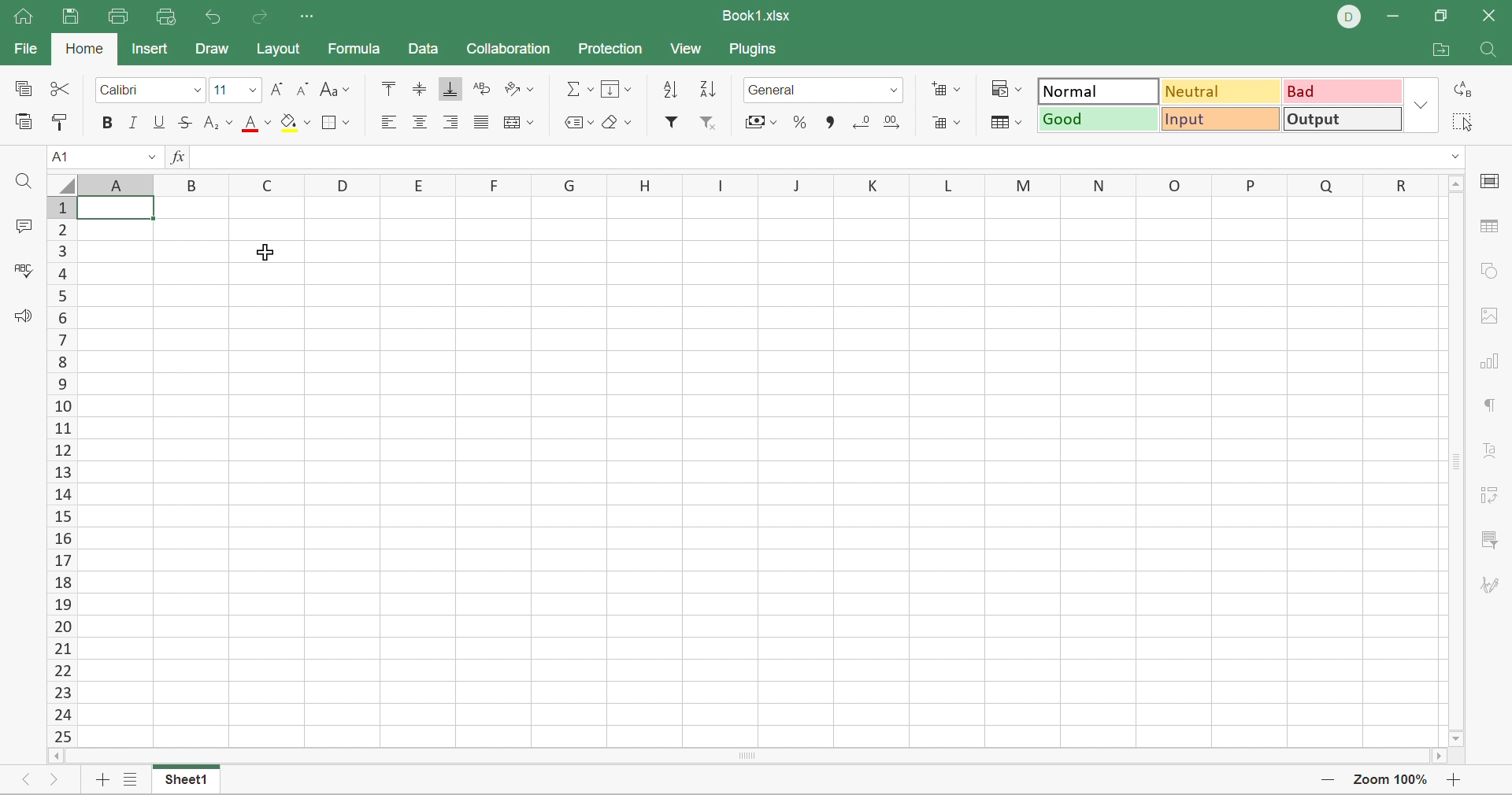 The image size is (1512, 795). What do you see at coordinates (278, 89) in the screenshot?
I see `Increment font size` at bounding box center [278, 89].